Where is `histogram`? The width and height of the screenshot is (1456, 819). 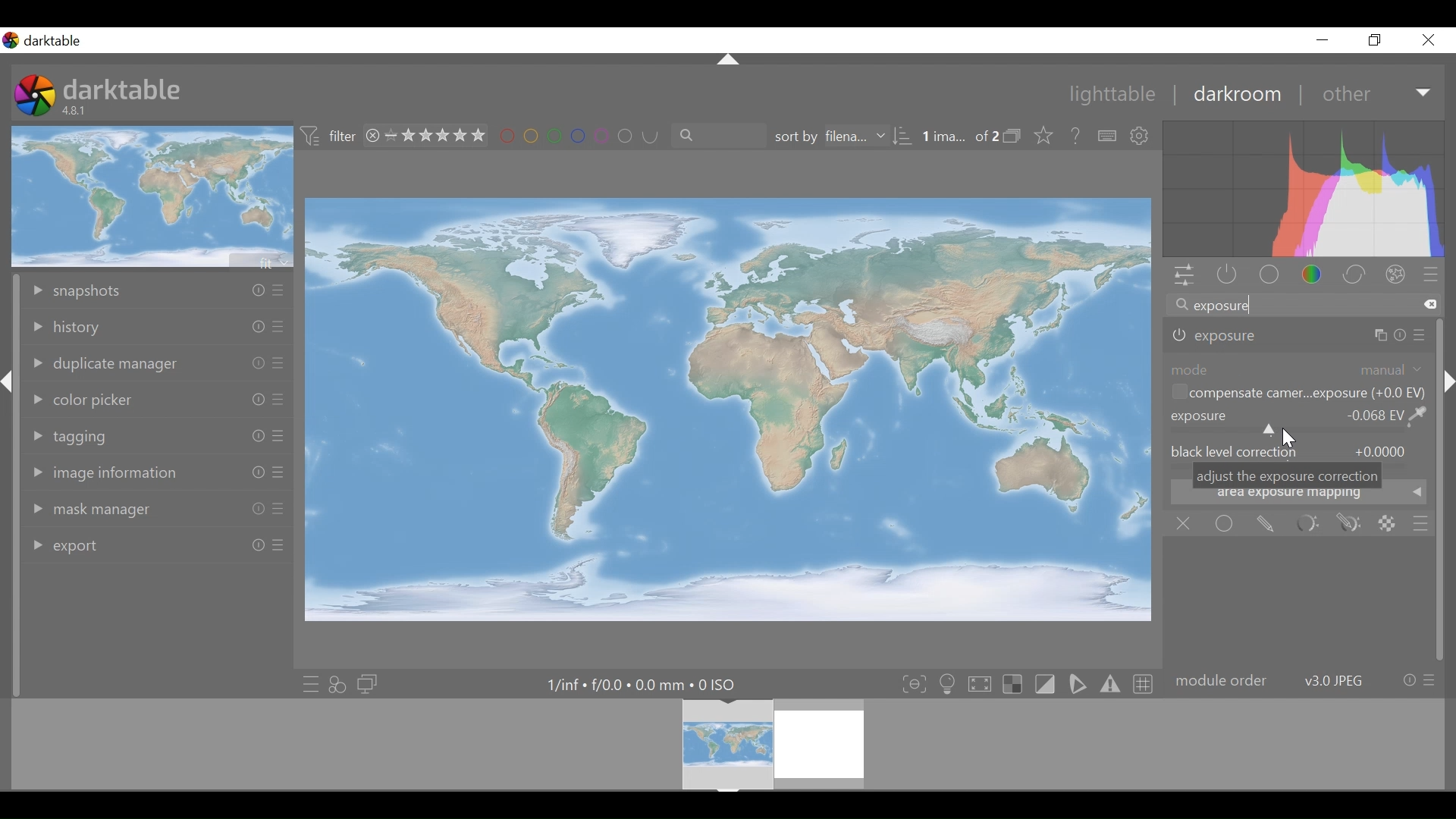
histogram is located at coordinates (1303, 189).